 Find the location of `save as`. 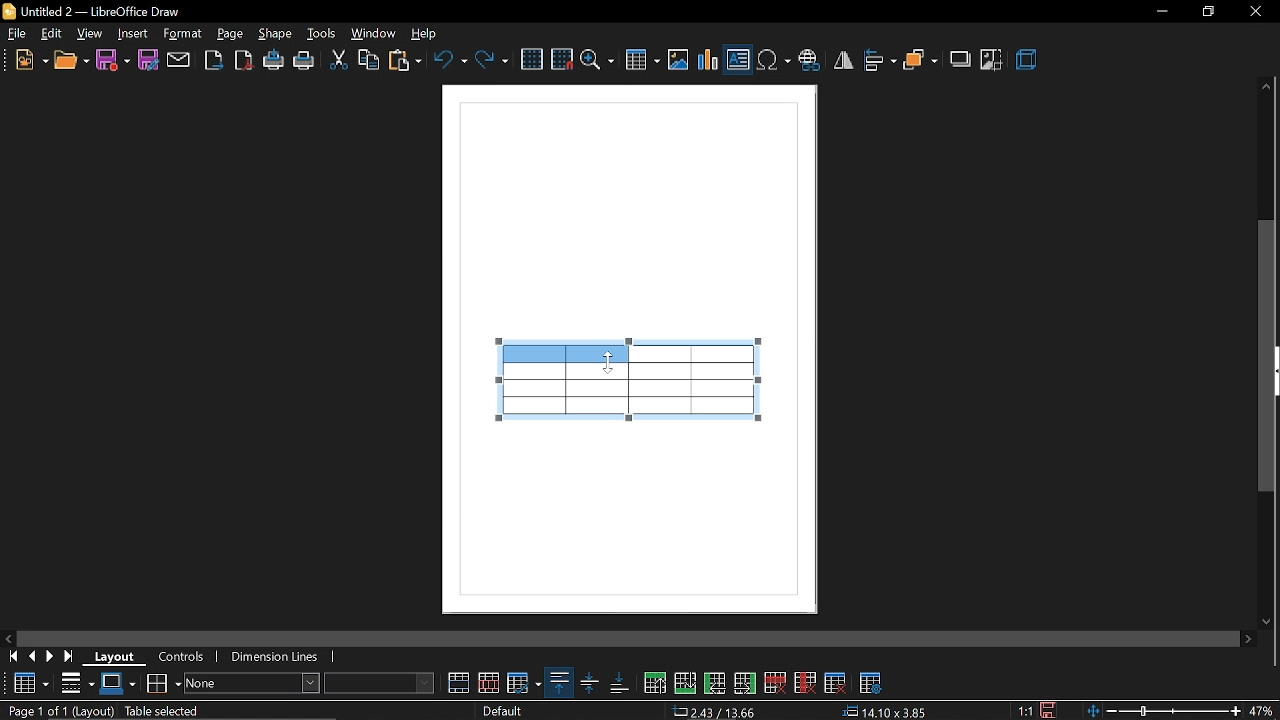

save as is located at coordinates (149, 61).